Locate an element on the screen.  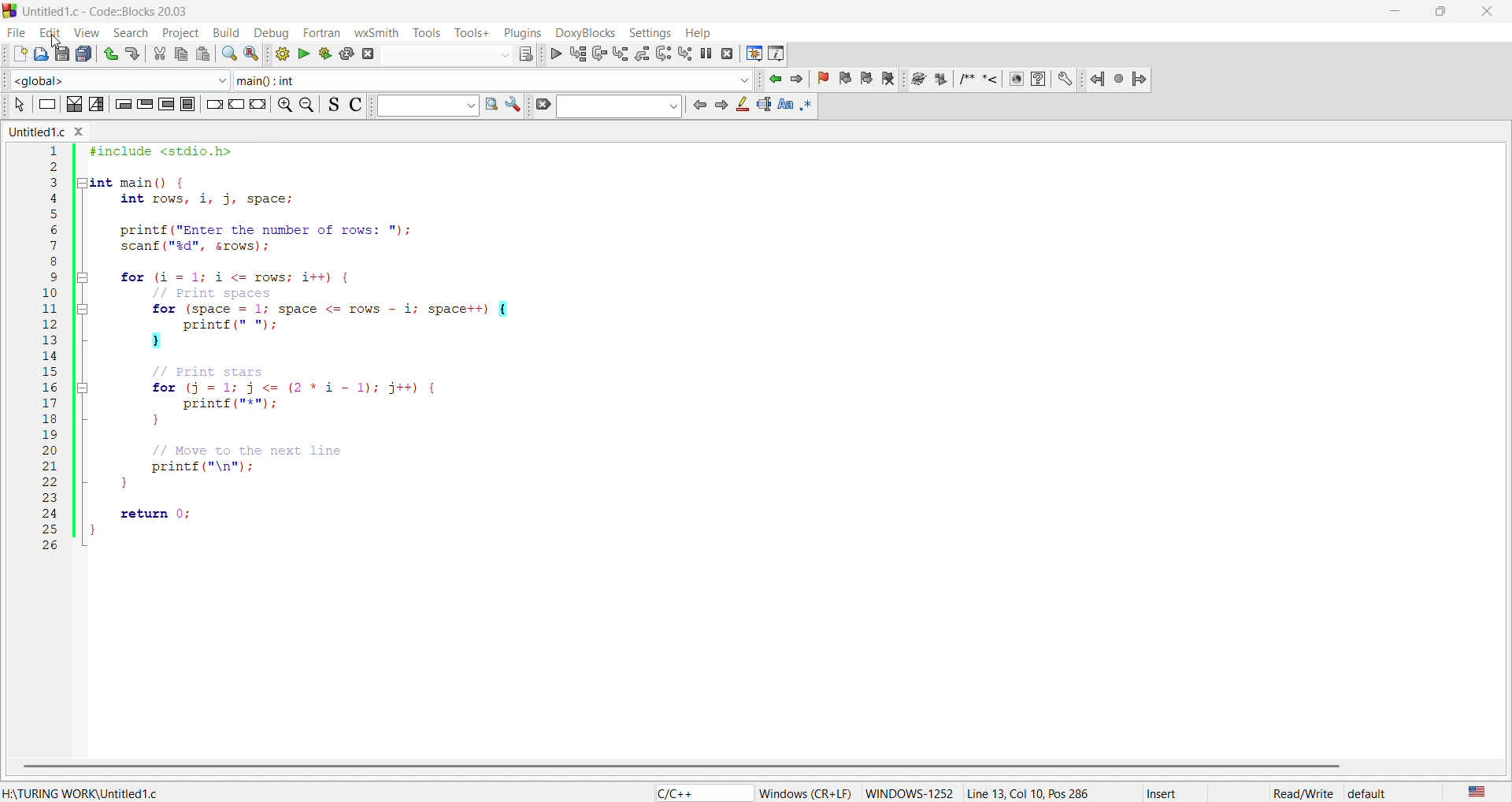
next bookmark is located at coordinates (865, 80).